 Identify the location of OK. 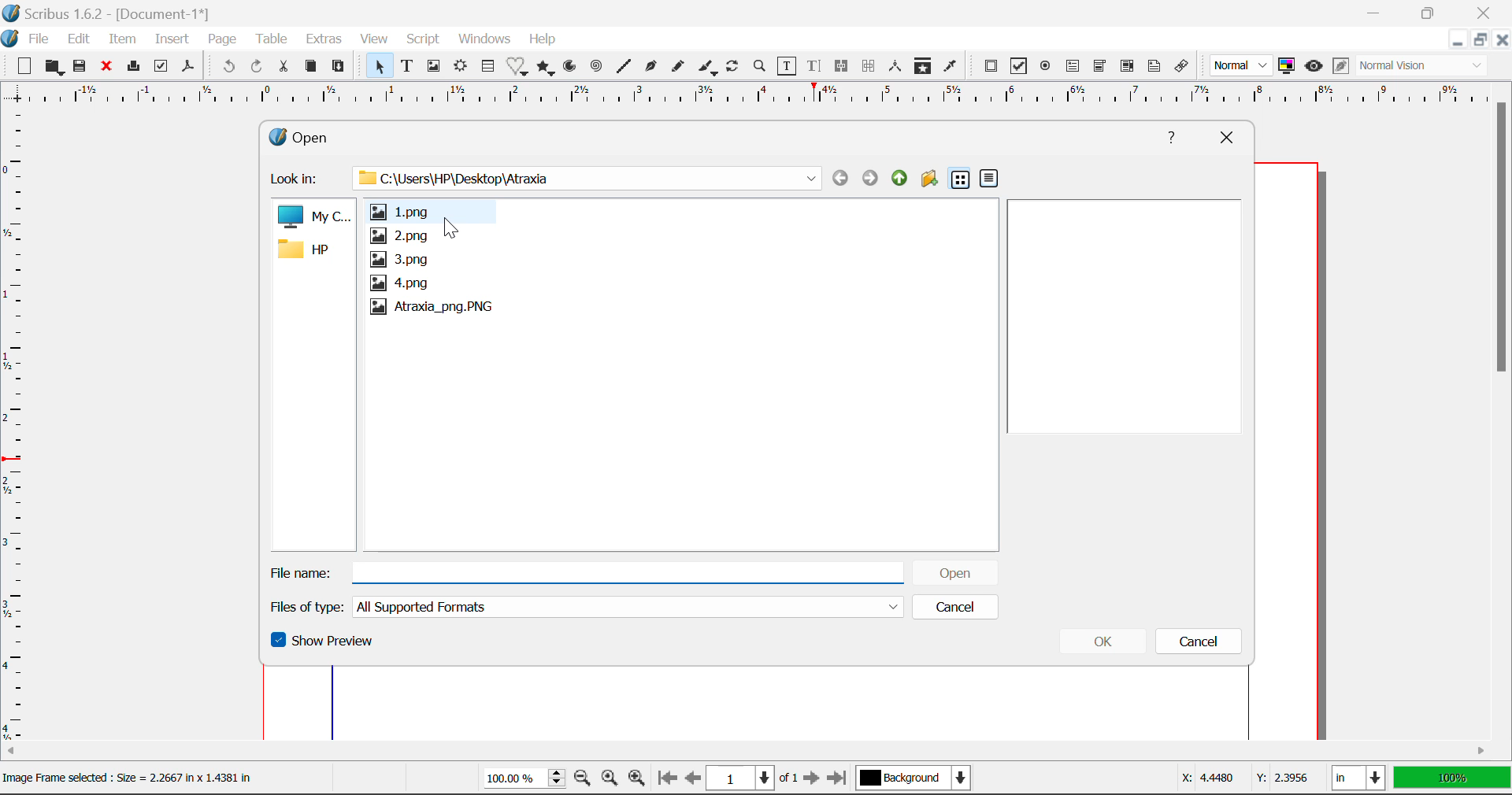
(1105, 644).